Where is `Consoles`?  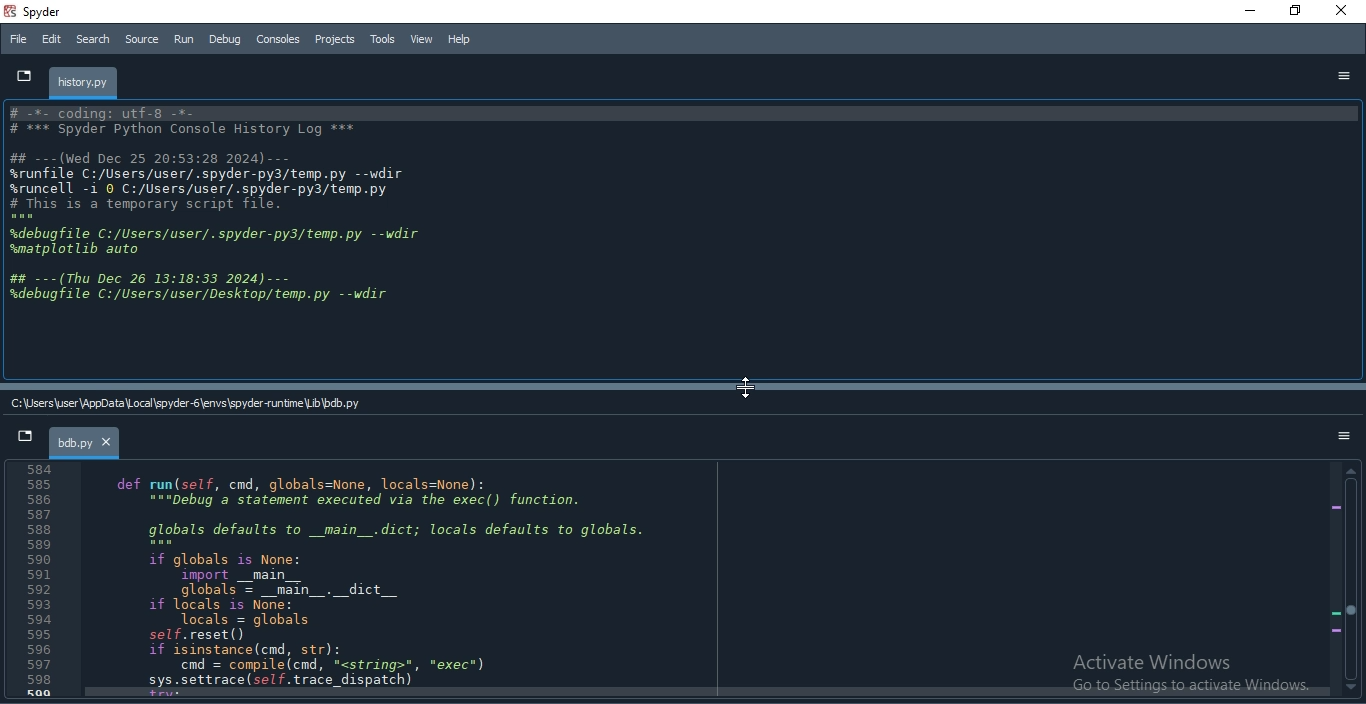 Consoles is located at coordinates (279, 38).